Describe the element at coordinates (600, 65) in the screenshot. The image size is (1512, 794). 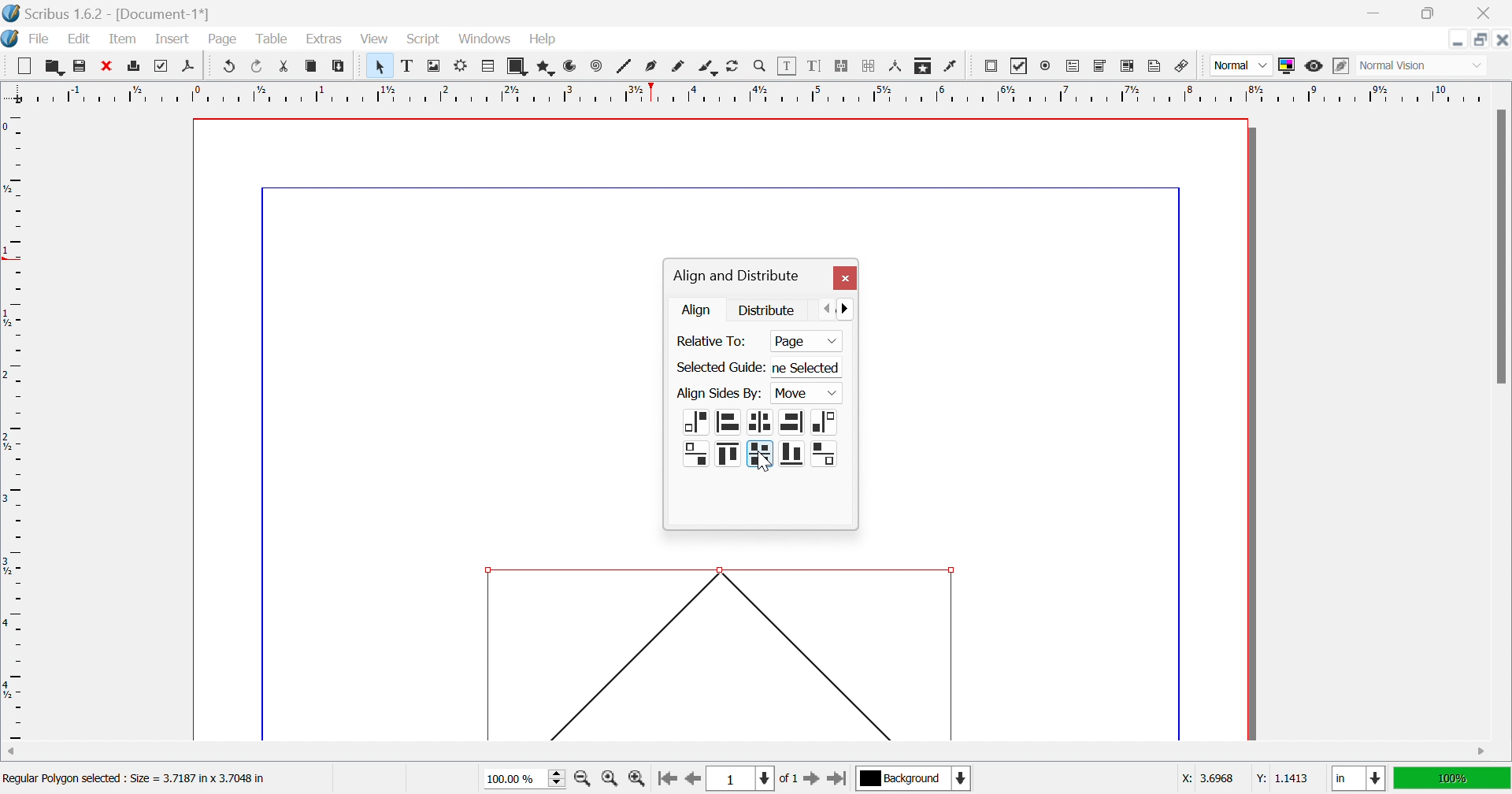
I see `Spiral` at that location.